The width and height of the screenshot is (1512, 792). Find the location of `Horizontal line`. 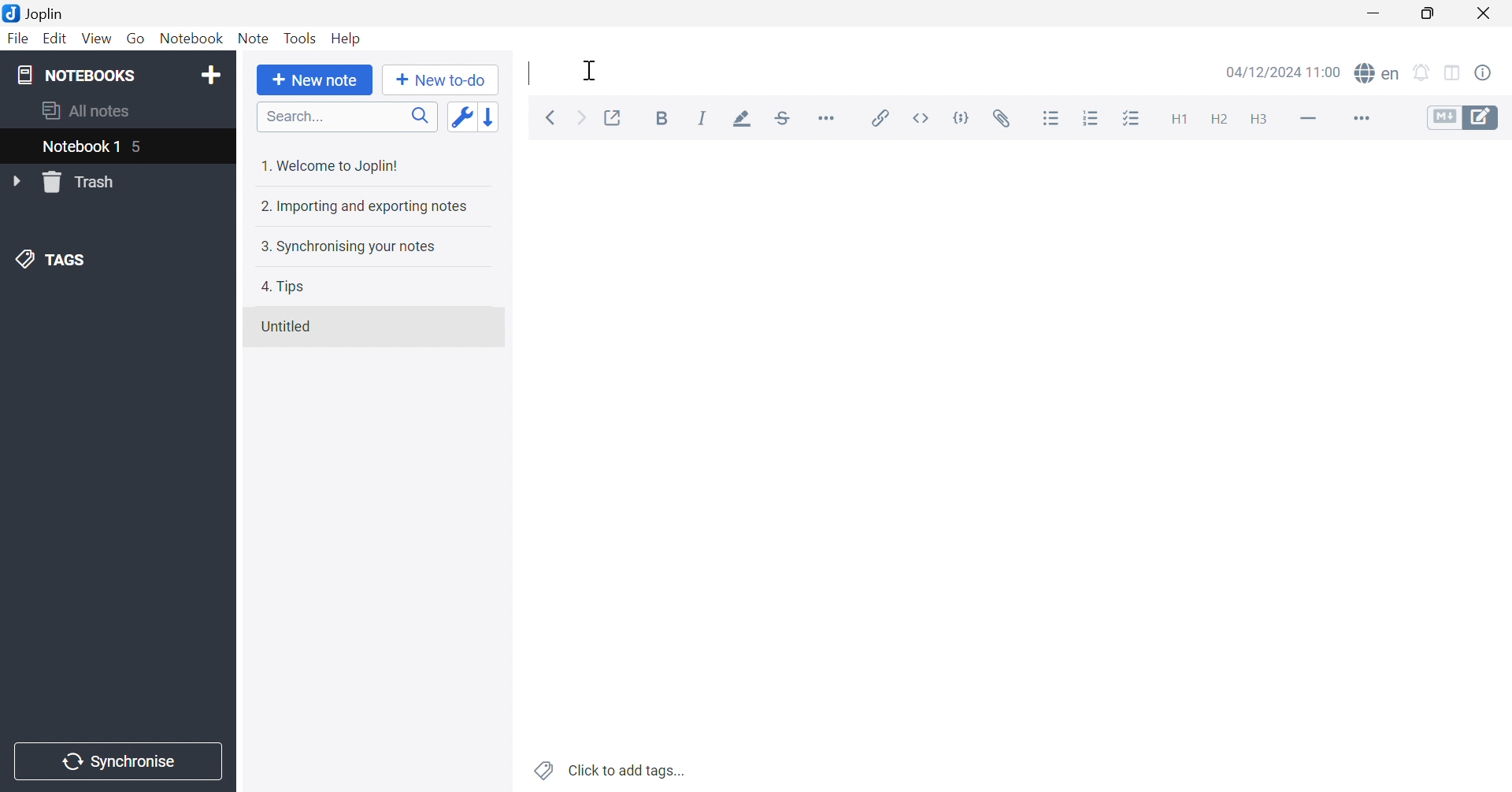

Horizontal line is located at coordinates (1308, 119).